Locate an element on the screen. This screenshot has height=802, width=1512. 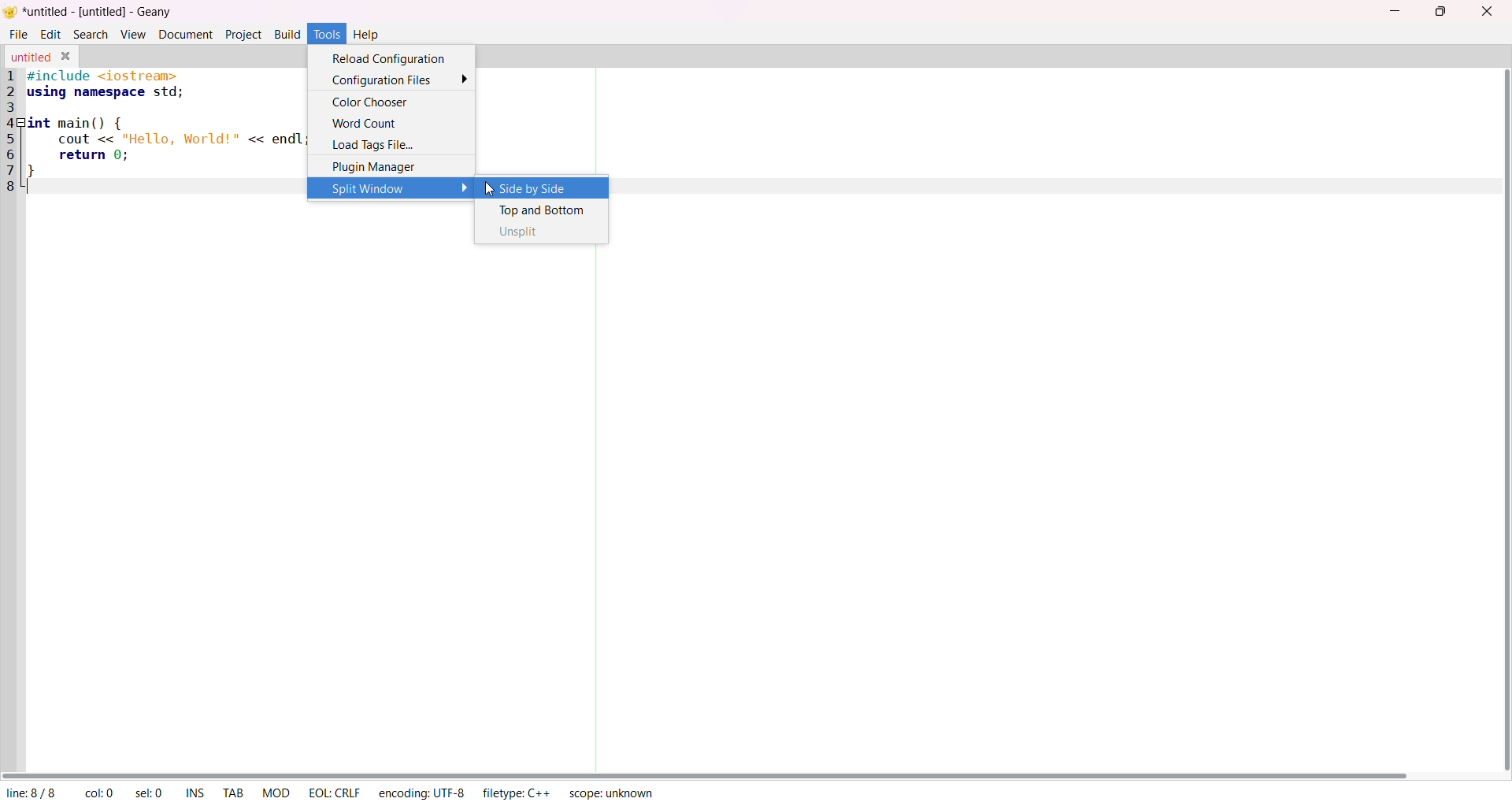
Project is located at coordinates (243, 34).